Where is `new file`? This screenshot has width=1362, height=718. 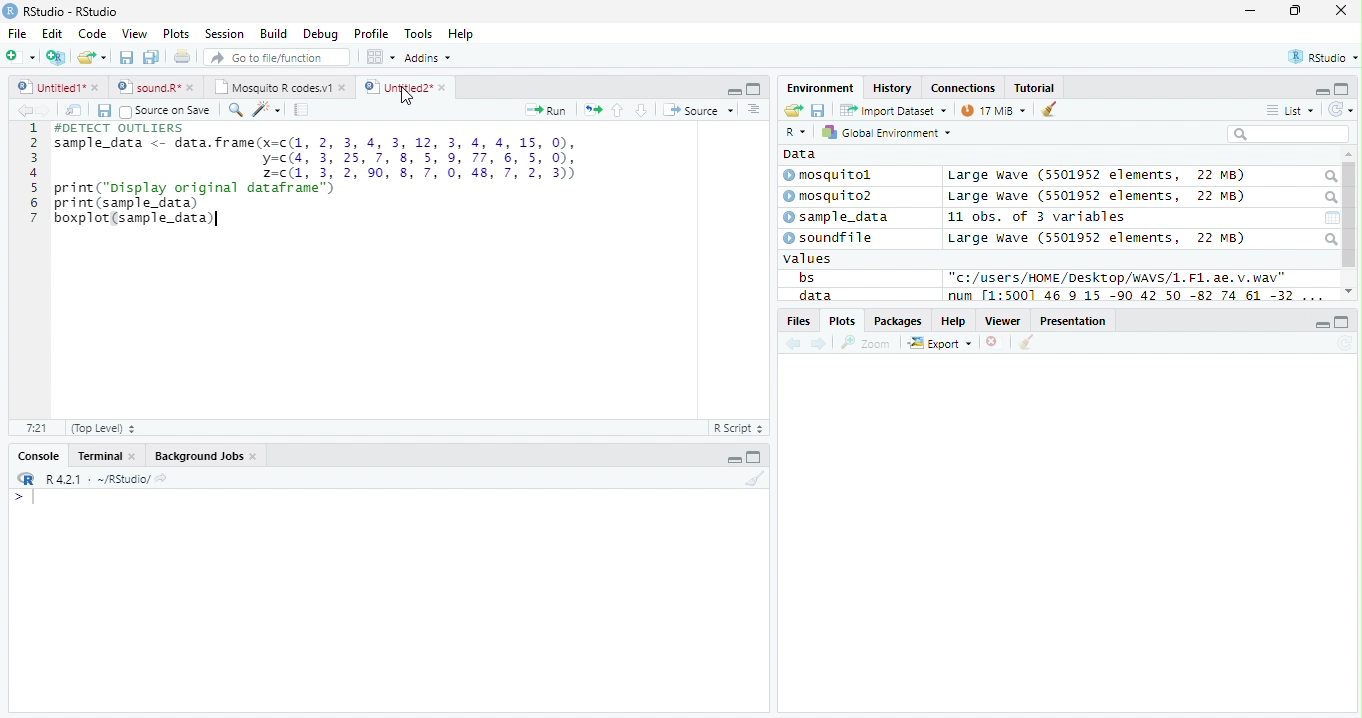 new file is located at coordinates (21, 57).